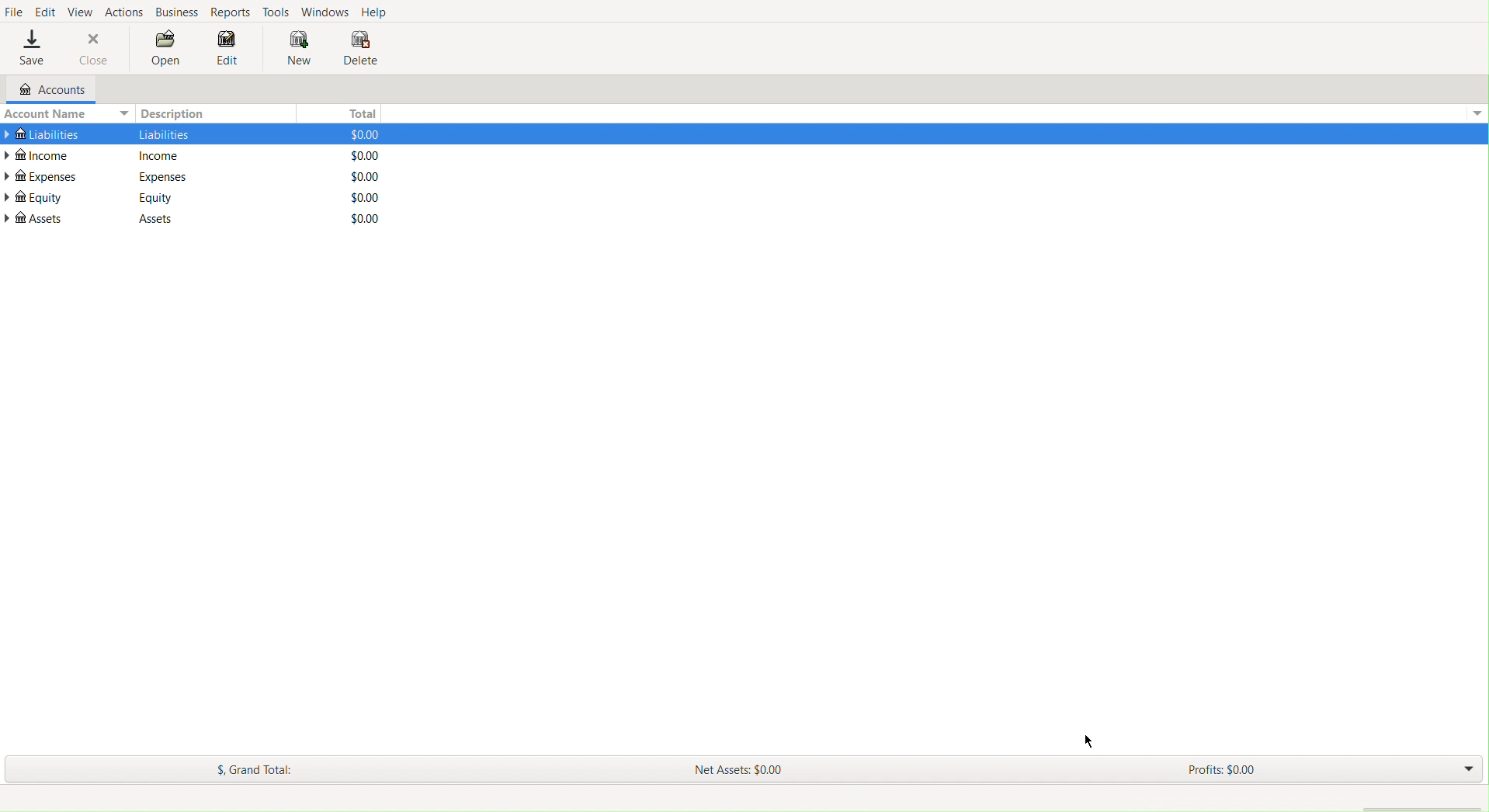  Describe the element at coordinates (33, 197) in the screenshot. I see `Equity` at that location.